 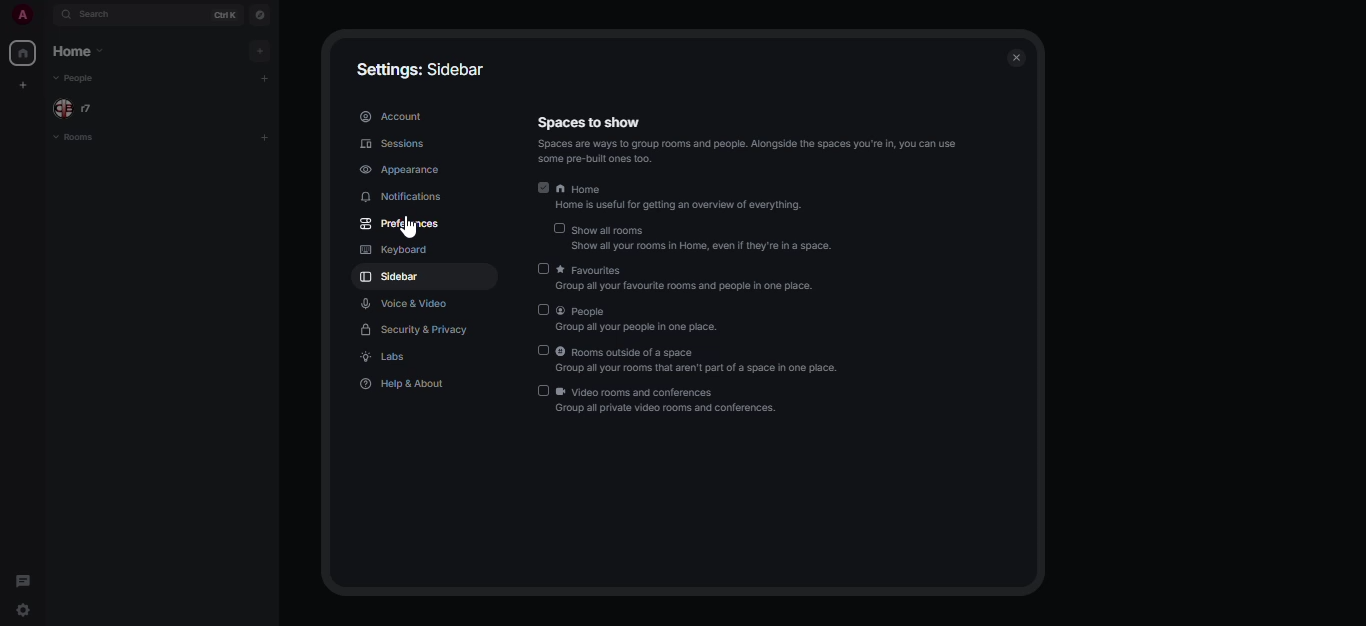 I want to click on navigator, so click(x=262, y=12).